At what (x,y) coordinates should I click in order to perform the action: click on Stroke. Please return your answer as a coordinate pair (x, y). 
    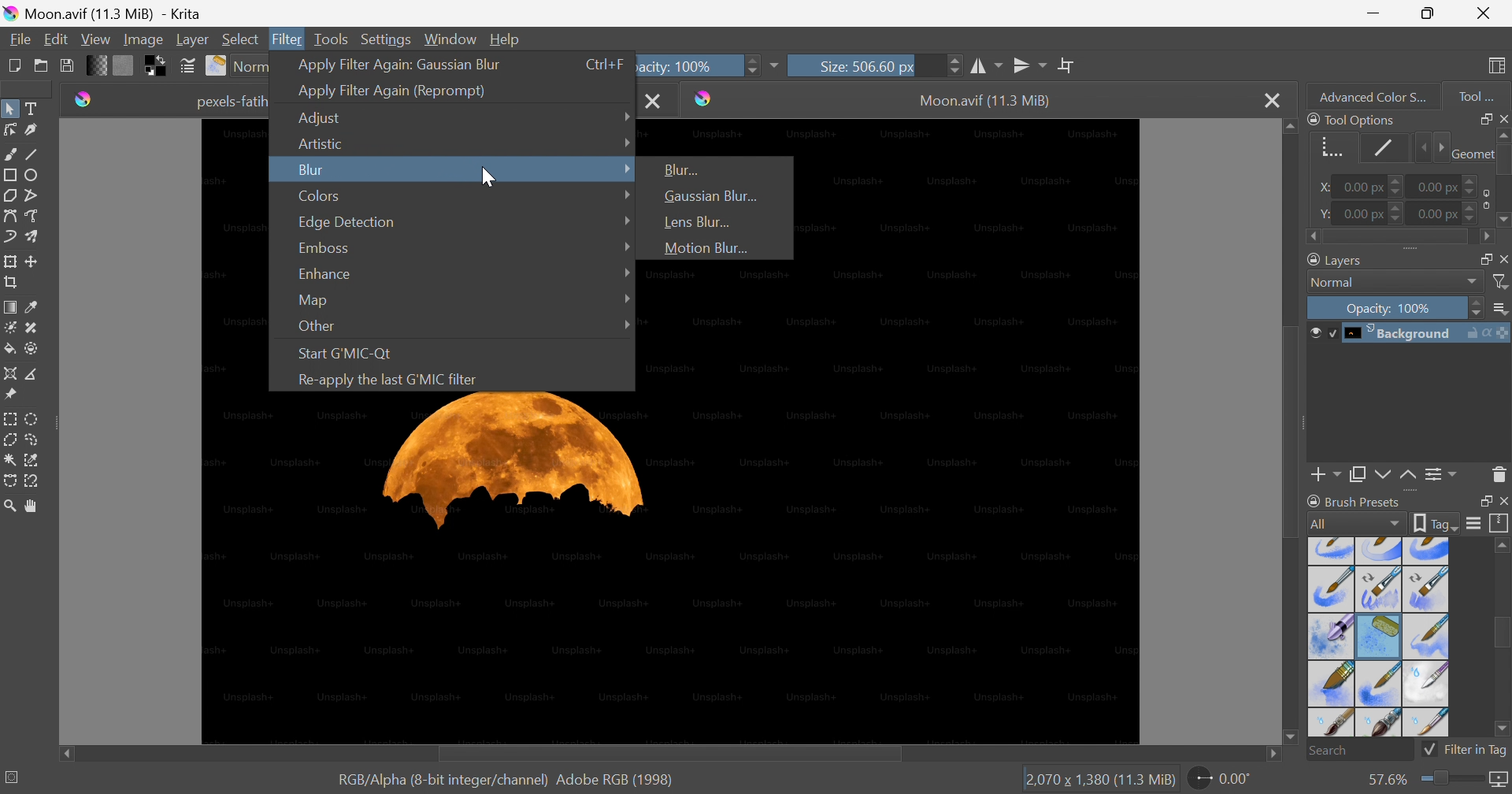
    Looking at the image, I should click on (1380, 149).